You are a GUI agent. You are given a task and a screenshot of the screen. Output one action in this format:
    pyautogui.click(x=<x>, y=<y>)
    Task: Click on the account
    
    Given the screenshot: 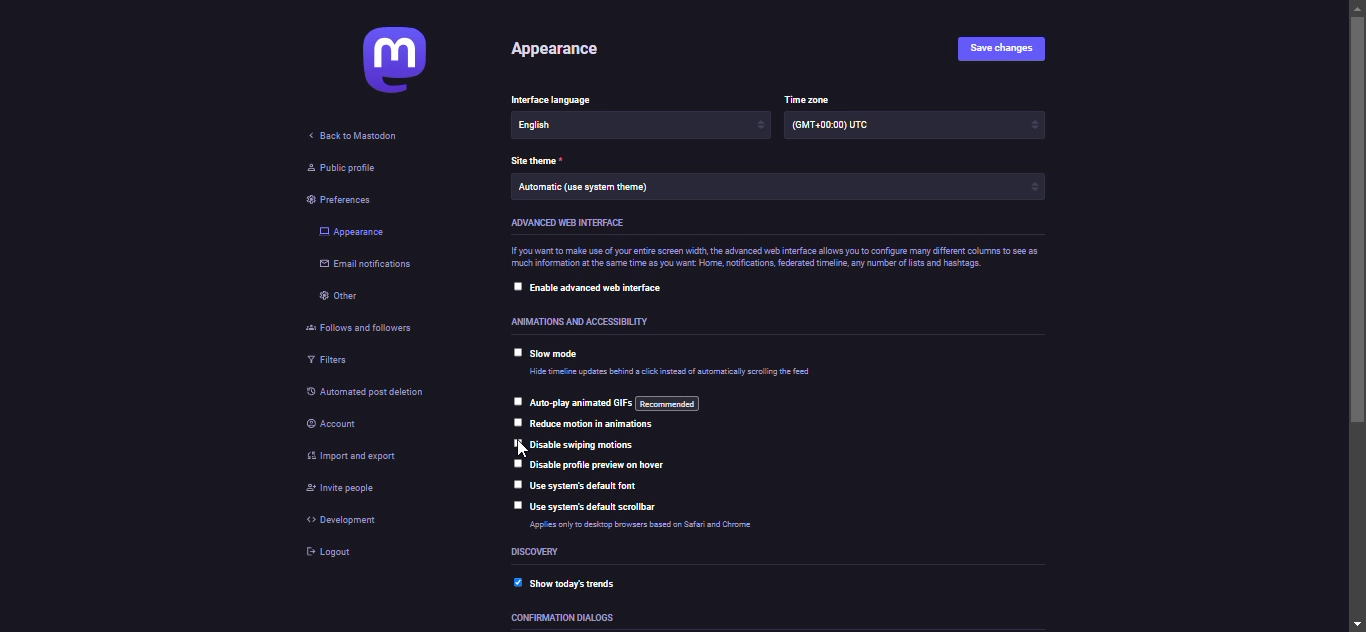 What is the action you would take?
    pyautogui.click(x=337, y=423)
    